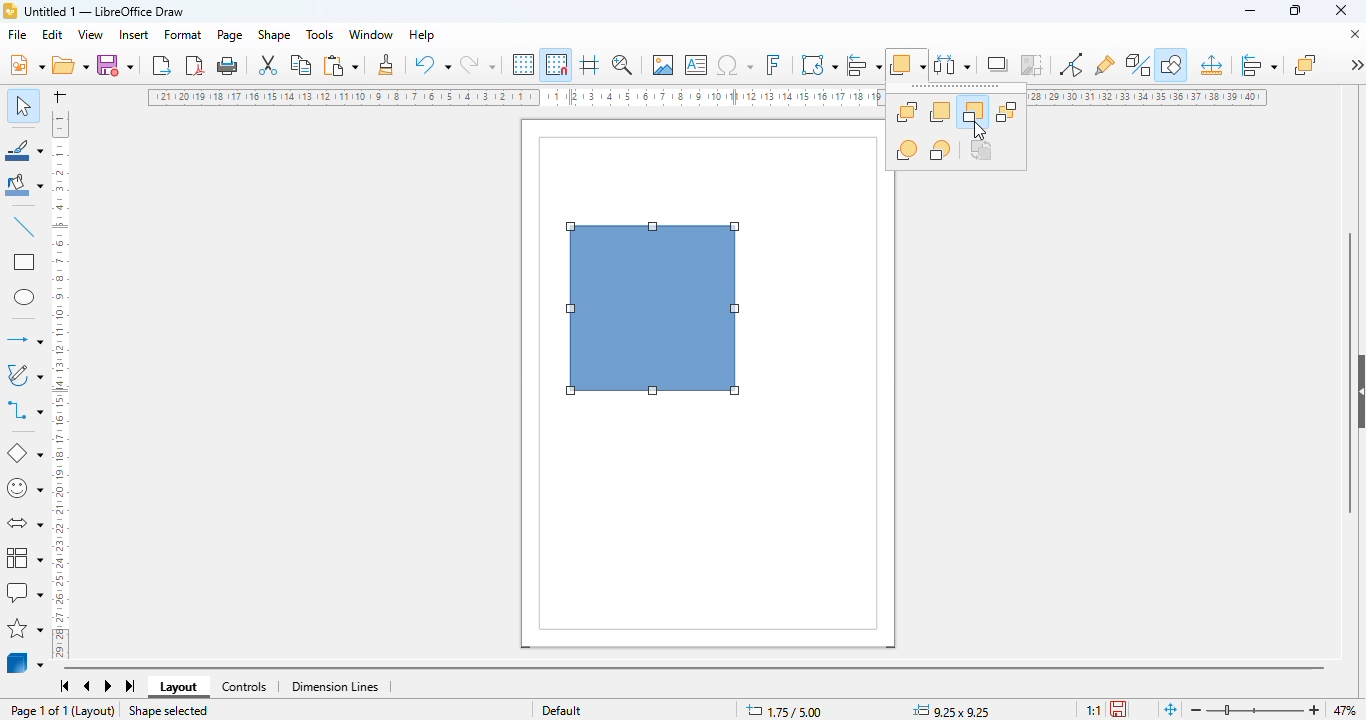  I want to click on ruler, so click(61, 382).